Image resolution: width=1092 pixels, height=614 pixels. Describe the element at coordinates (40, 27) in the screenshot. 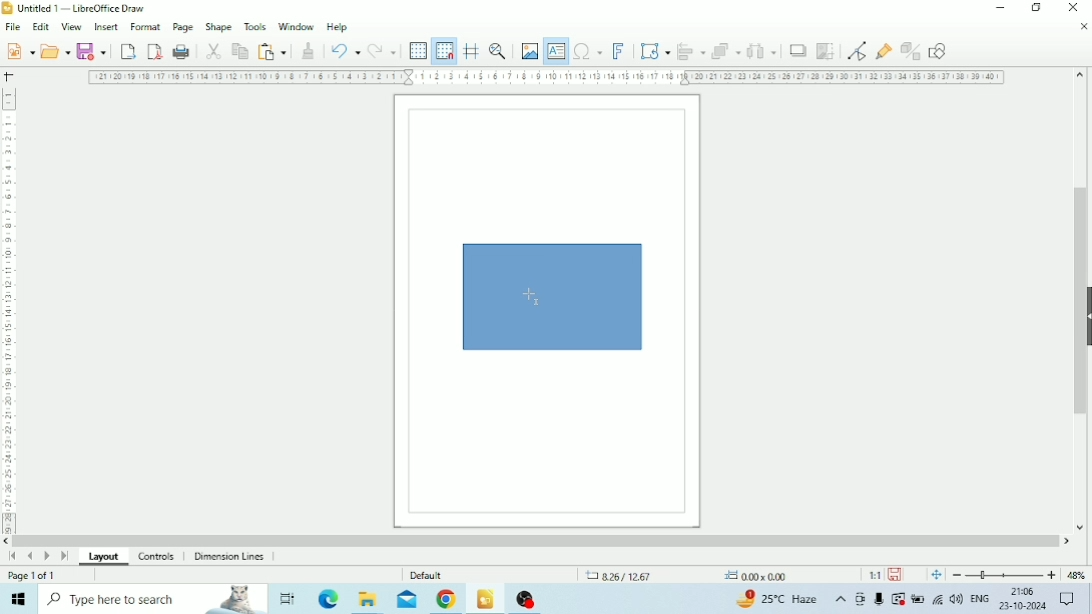

I see `Edit` at that location.